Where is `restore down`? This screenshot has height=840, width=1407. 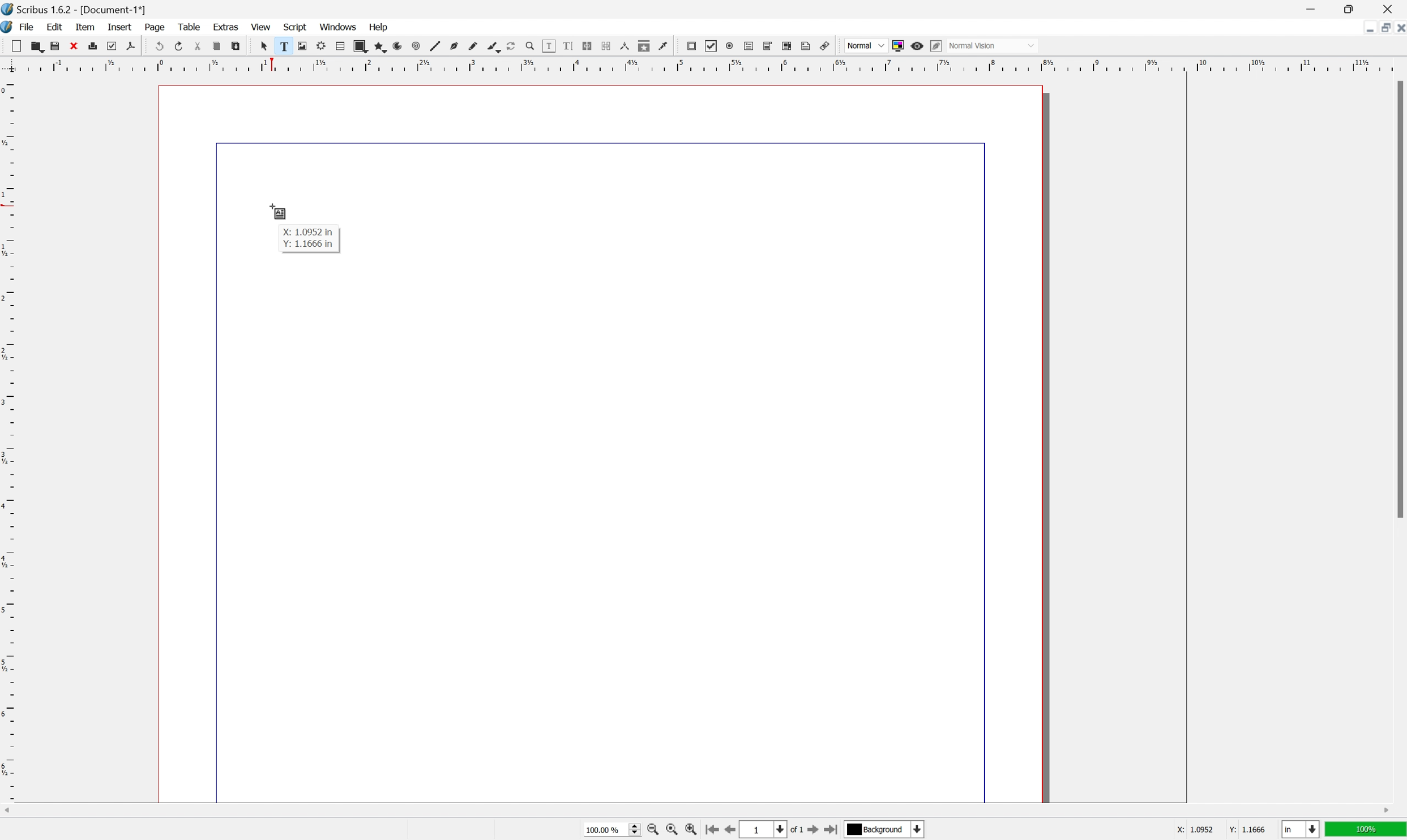 restore down is located at coordinates (1380, 28).